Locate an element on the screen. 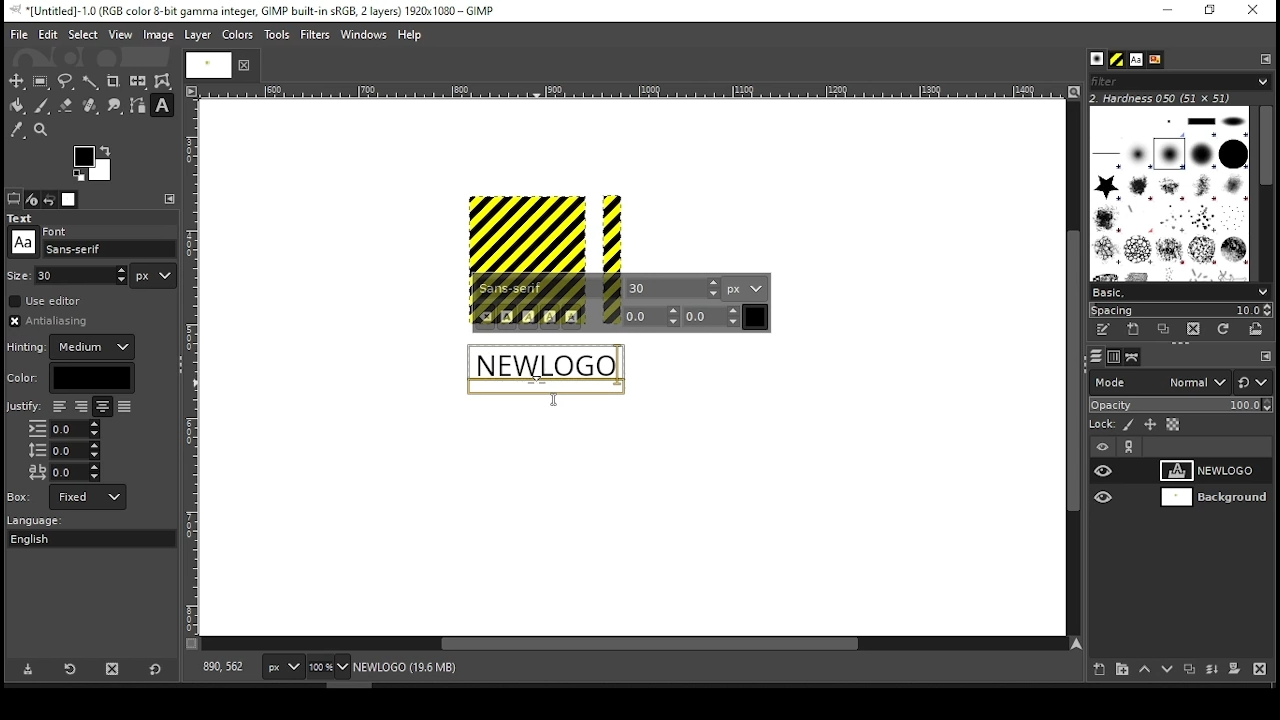 The width and height of the screenshot is (1280, 720). zoom level is located at coordinates (328, 669).